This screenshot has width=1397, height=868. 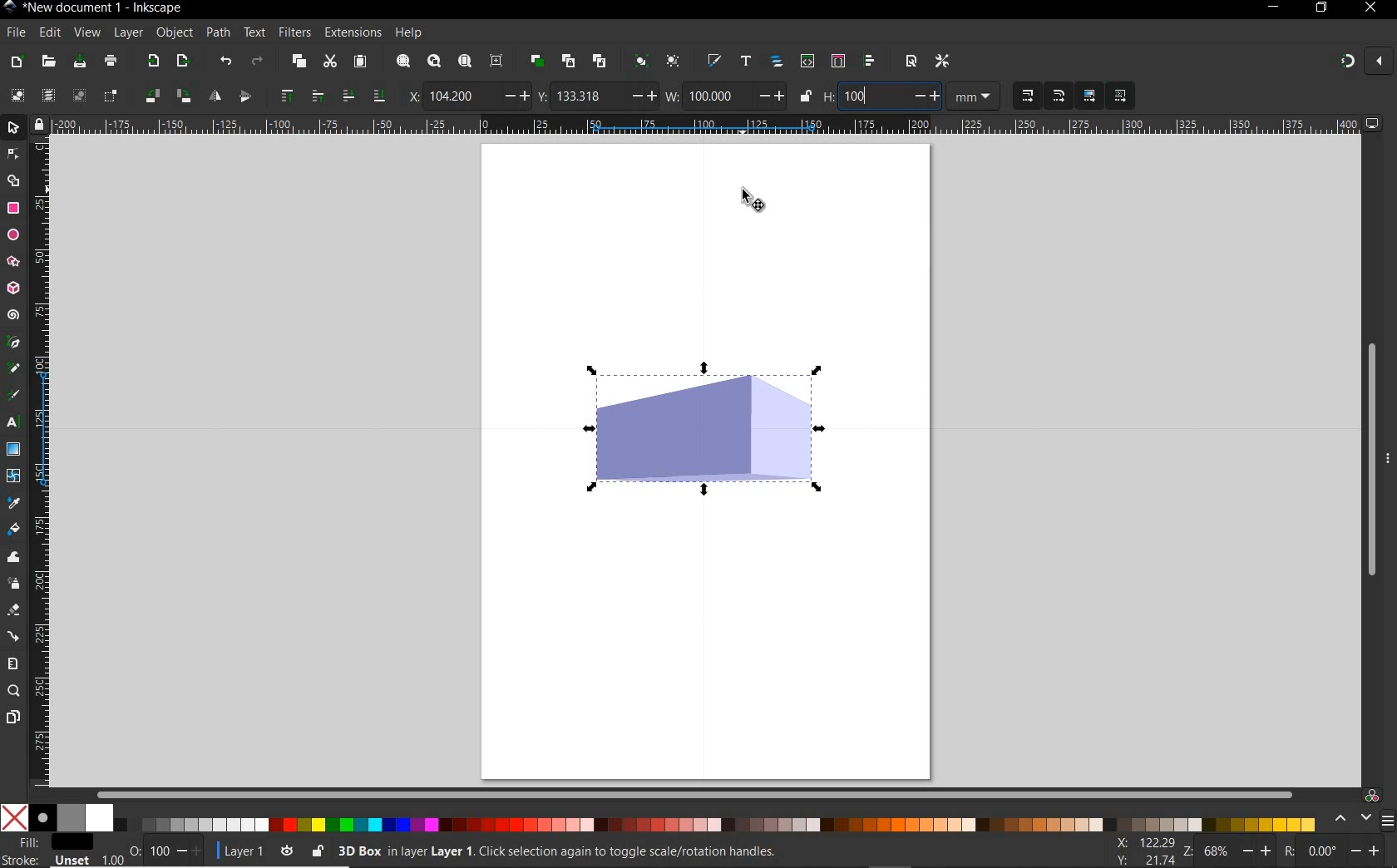 I want to click on toggle selection box, so click(x=111, y=95).